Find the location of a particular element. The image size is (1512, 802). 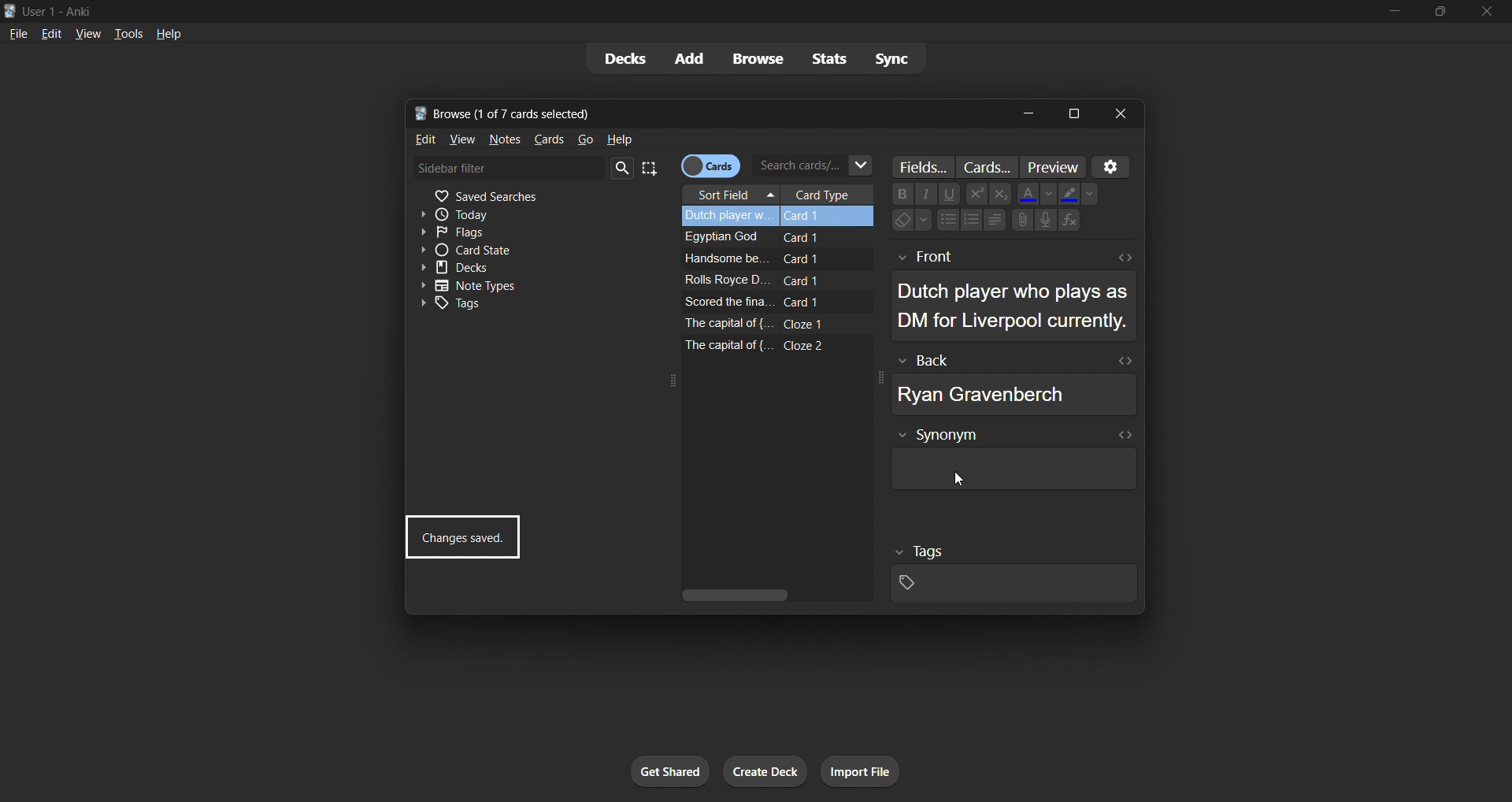

cards is located at coordinates (551, 139).